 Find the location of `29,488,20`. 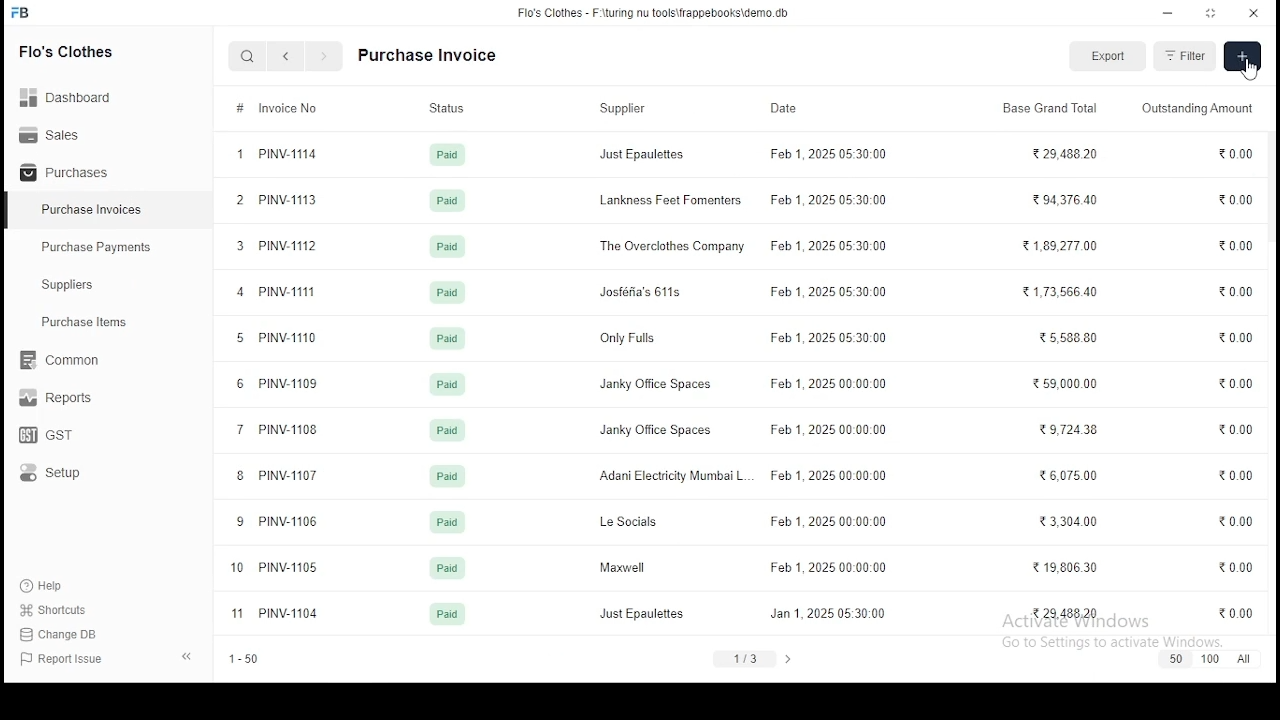

29,488,20 is located at coordinates (1067, 153).